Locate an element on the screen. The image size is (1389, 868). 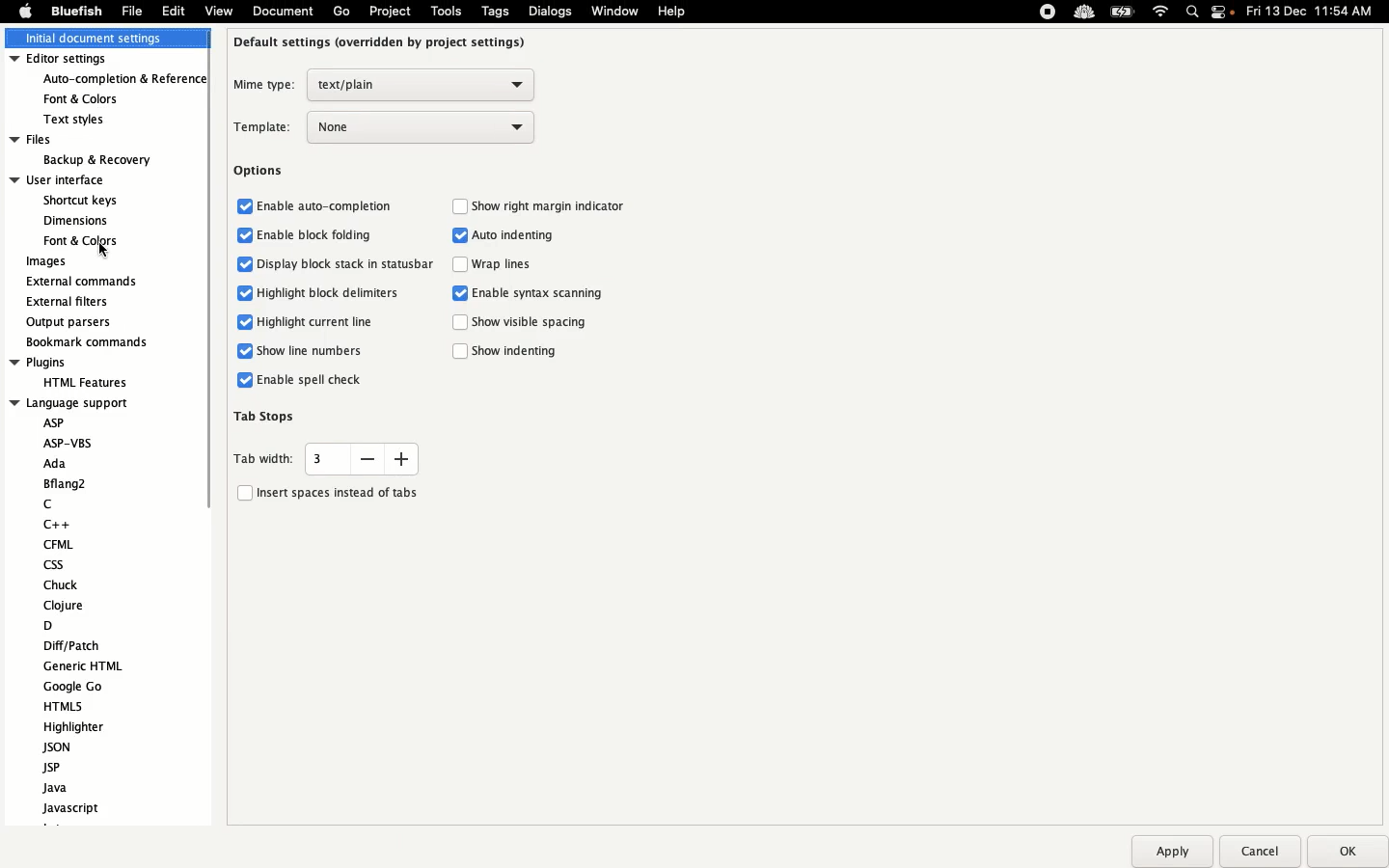
Ok is located at coordinates (1344, 851).